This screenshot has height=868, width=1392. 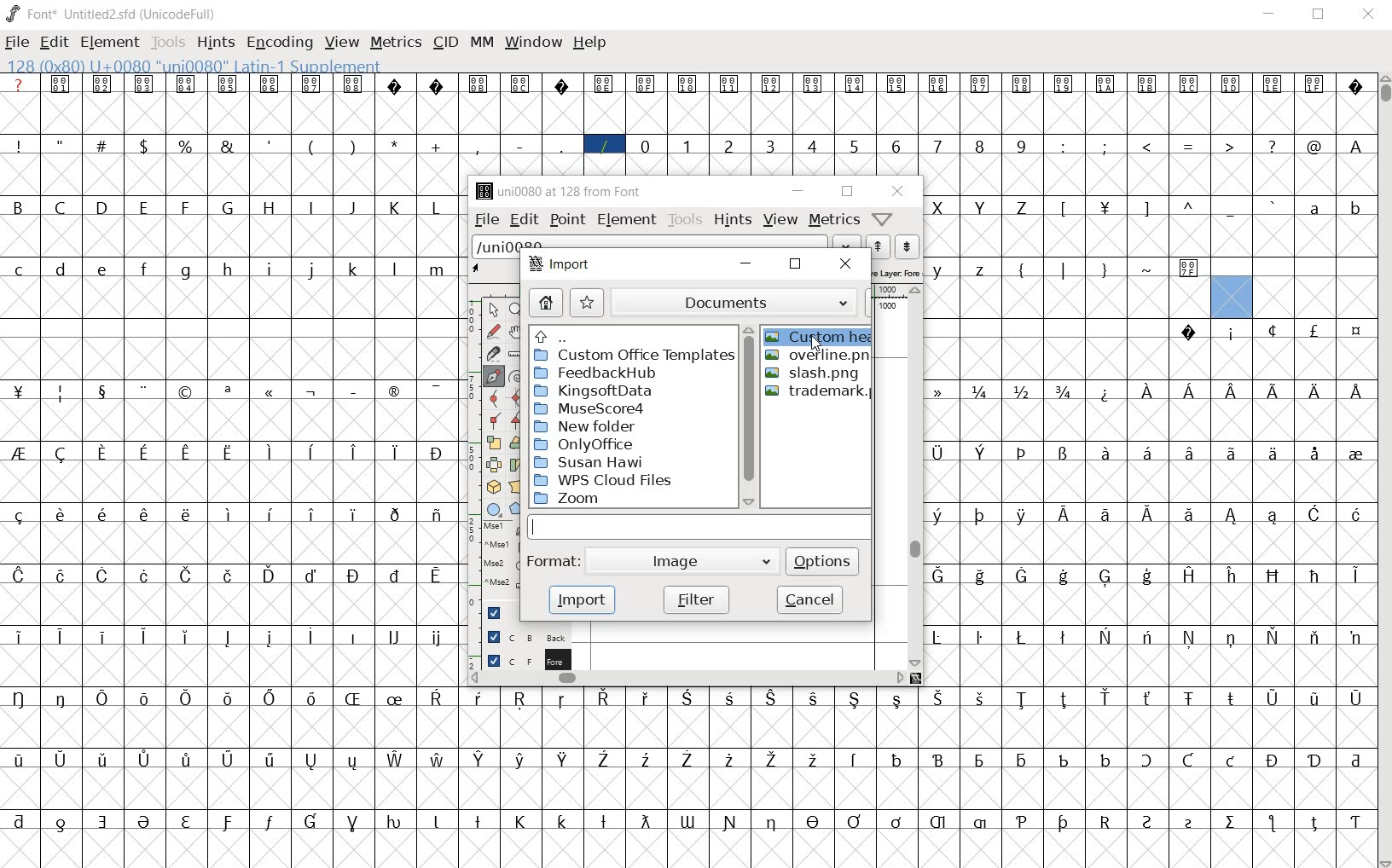 What do you see at coordinates (312, 393) in the screenshot?
I see `glyph` at bounding box center [312, 393].